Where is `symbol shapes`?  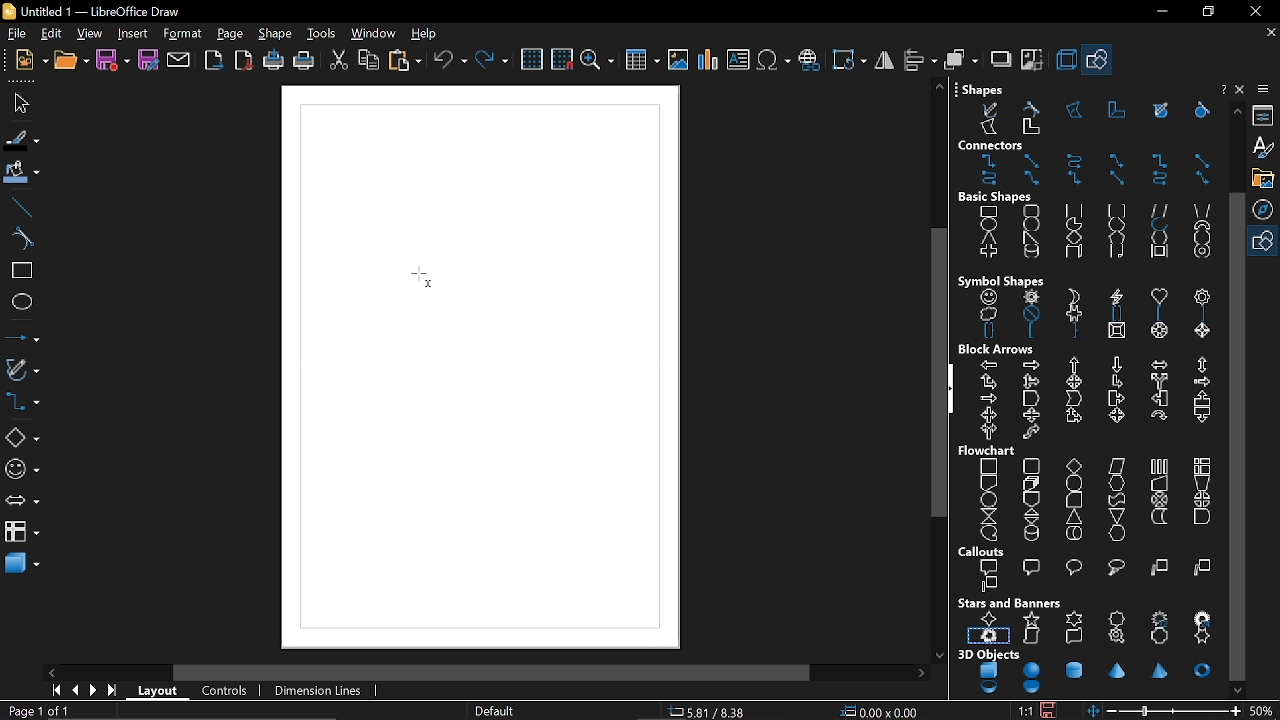
symbol shapes is located at coordinates (20, 472).